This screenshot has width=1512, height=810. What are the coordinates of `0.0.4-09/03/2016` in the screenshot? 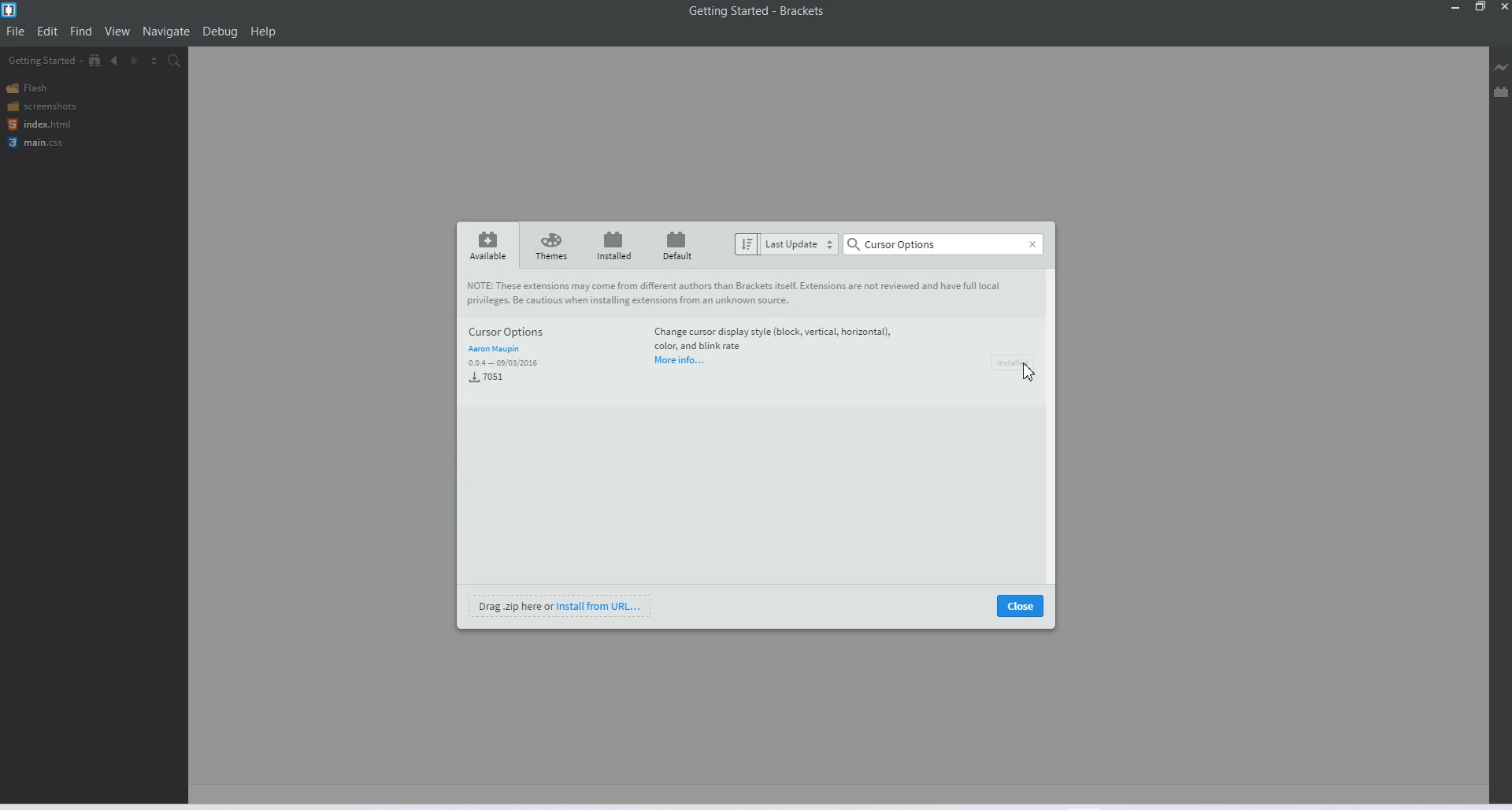 It's located at (504, 364).